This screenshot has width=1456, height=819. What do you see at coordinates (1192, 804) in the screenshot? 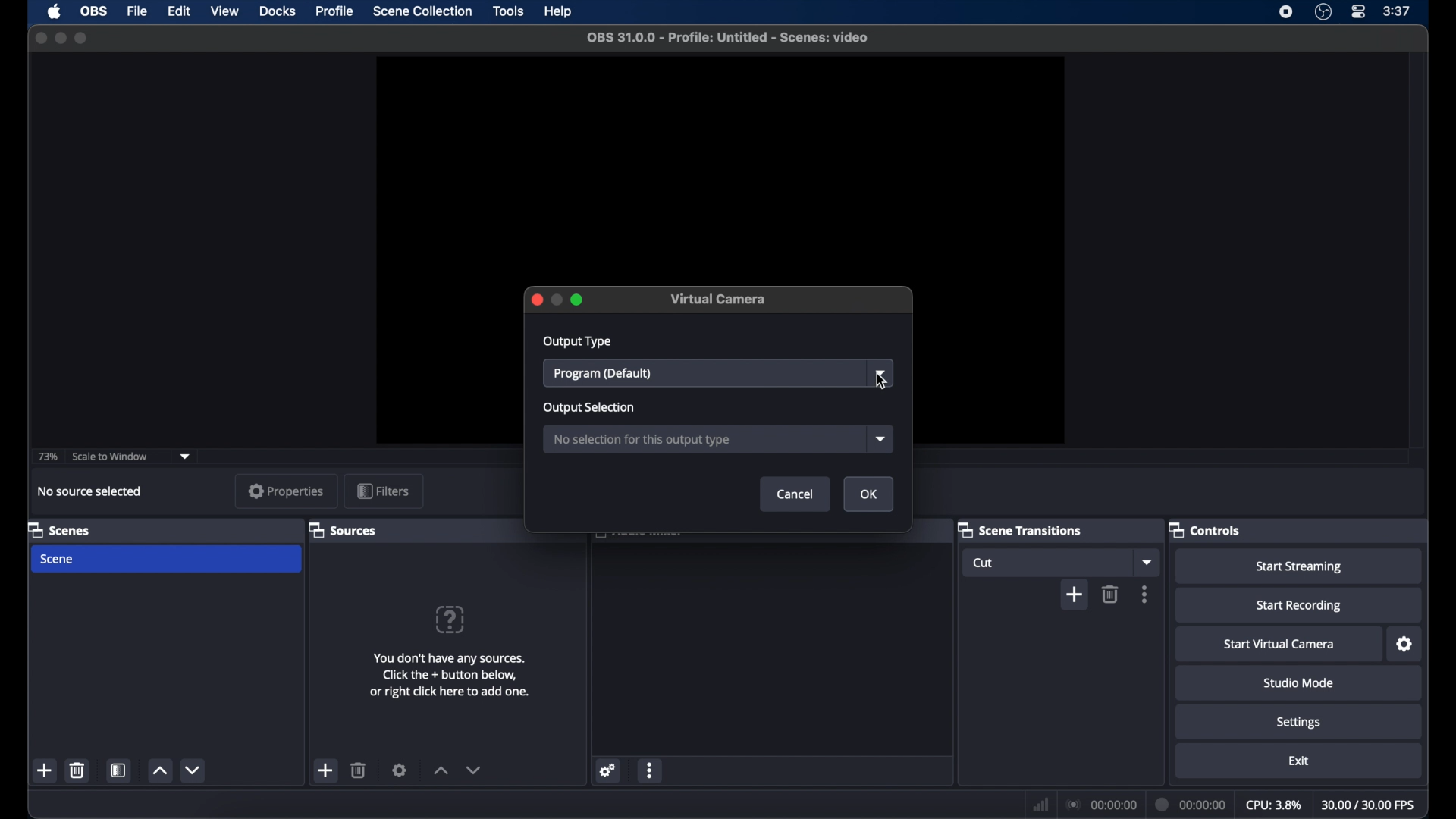
I see `duration` at bounding box center [1192, 804].